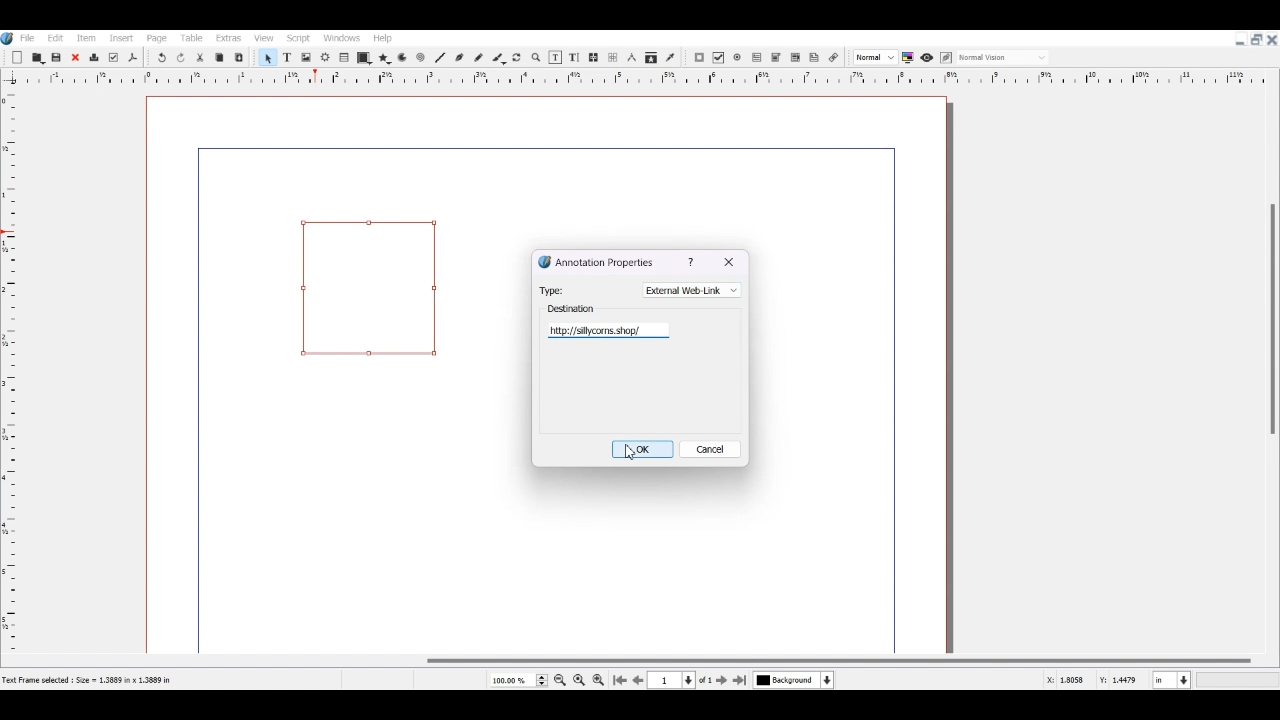  What do you see at coordinates (684, 680) in the screenshot?
I see `Select current Page` at bounding box center [684, 680].